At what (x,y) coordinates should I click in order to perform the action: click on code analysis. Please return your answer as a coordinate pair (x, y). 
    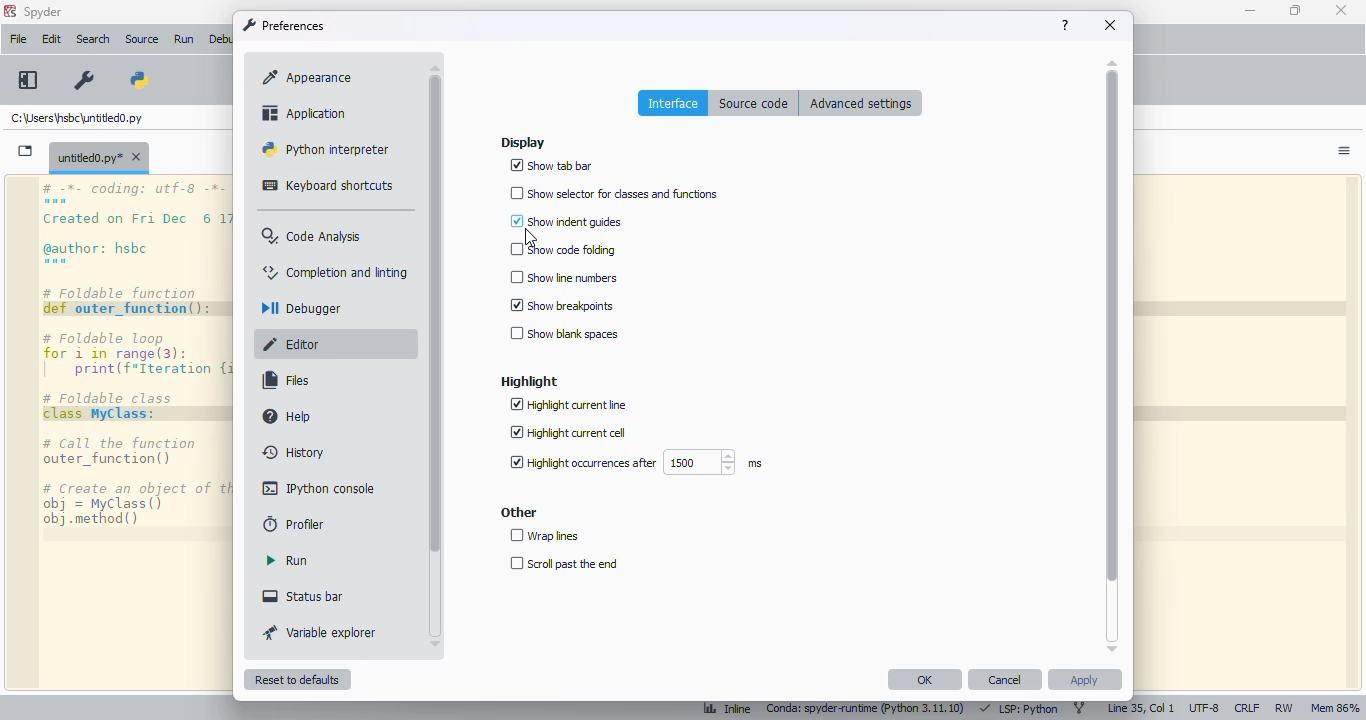
    Looking at the image, I should click on (311, 236).